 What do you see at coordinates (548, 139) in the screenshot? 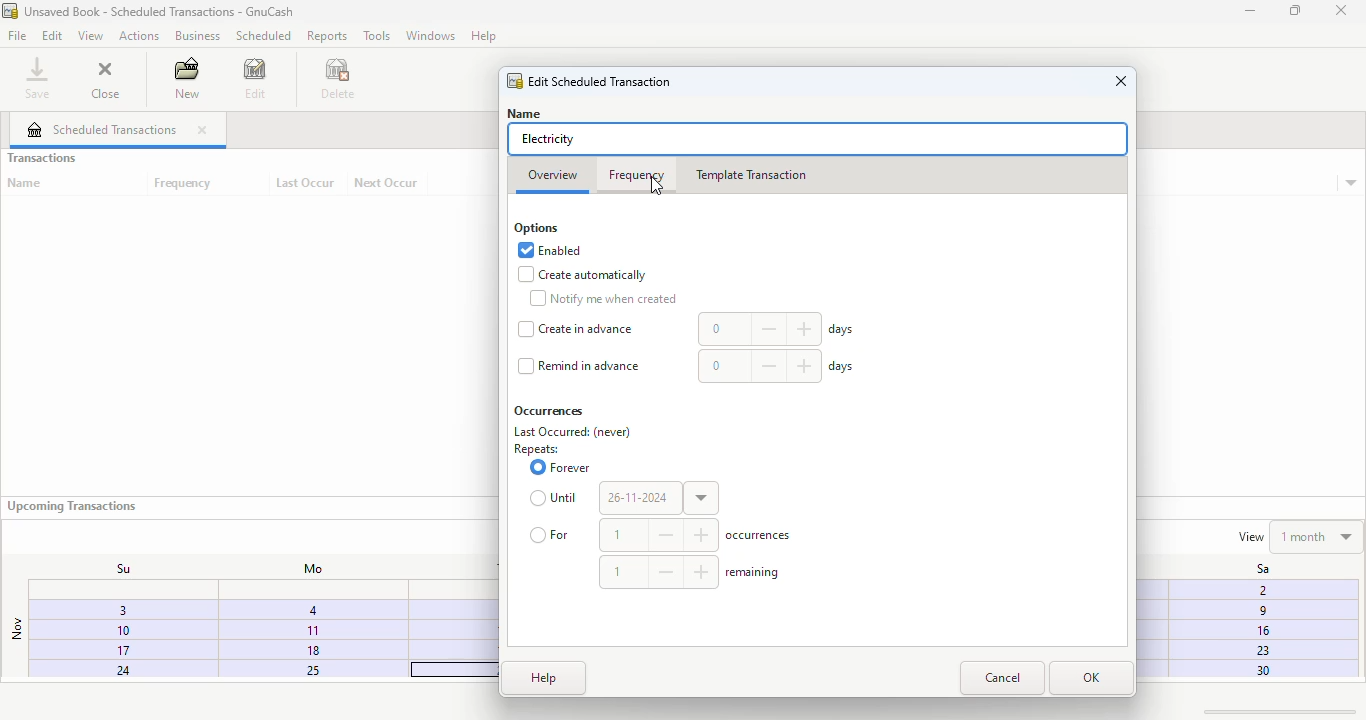
I see `Electricity` at bounding box center [548, 139].